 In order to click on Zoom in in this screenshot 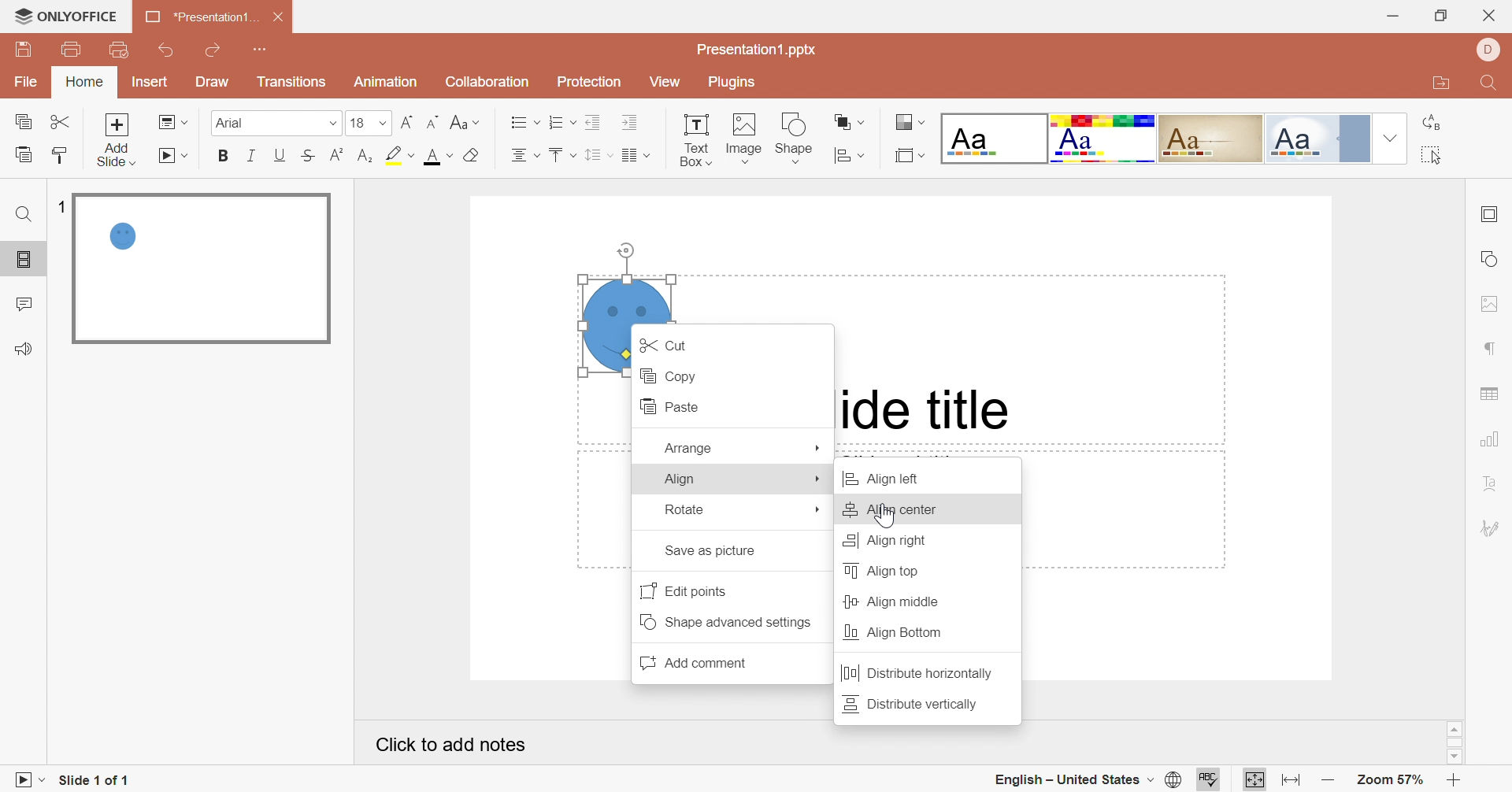, I will do `click(1455, 781)`.